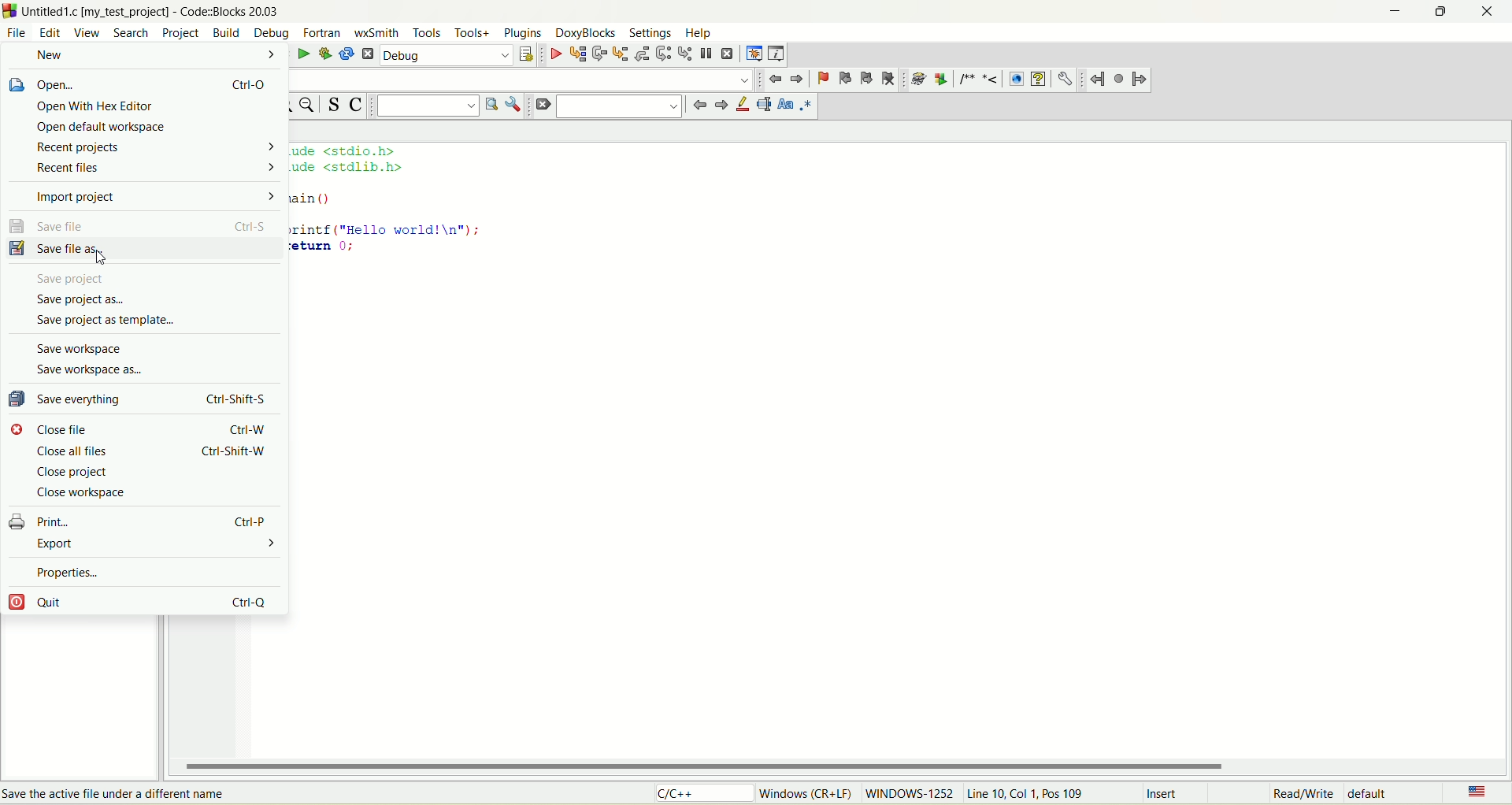 This screenshot has width=1512, height=805. What do you see at coordinates (335, 104) in the screenshot?
I see `toggle source` at bounding box center [335, 104].